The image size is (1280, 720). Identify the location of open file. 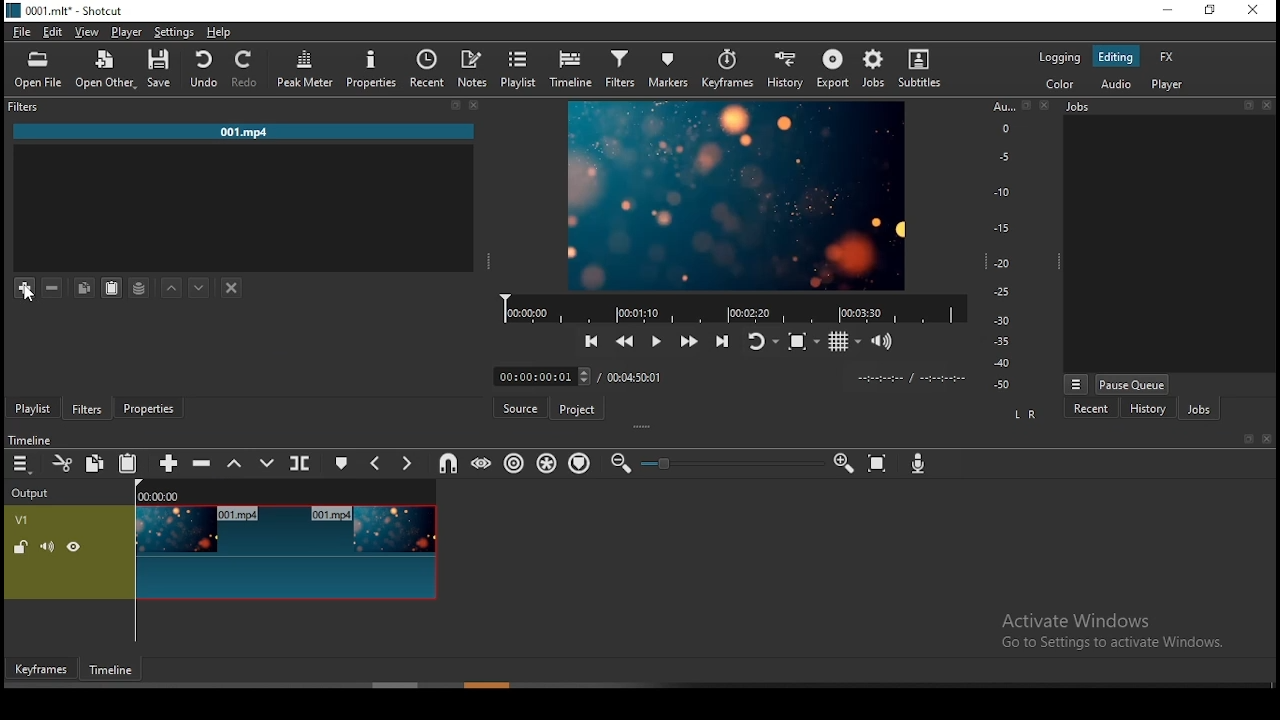
(40, 70).